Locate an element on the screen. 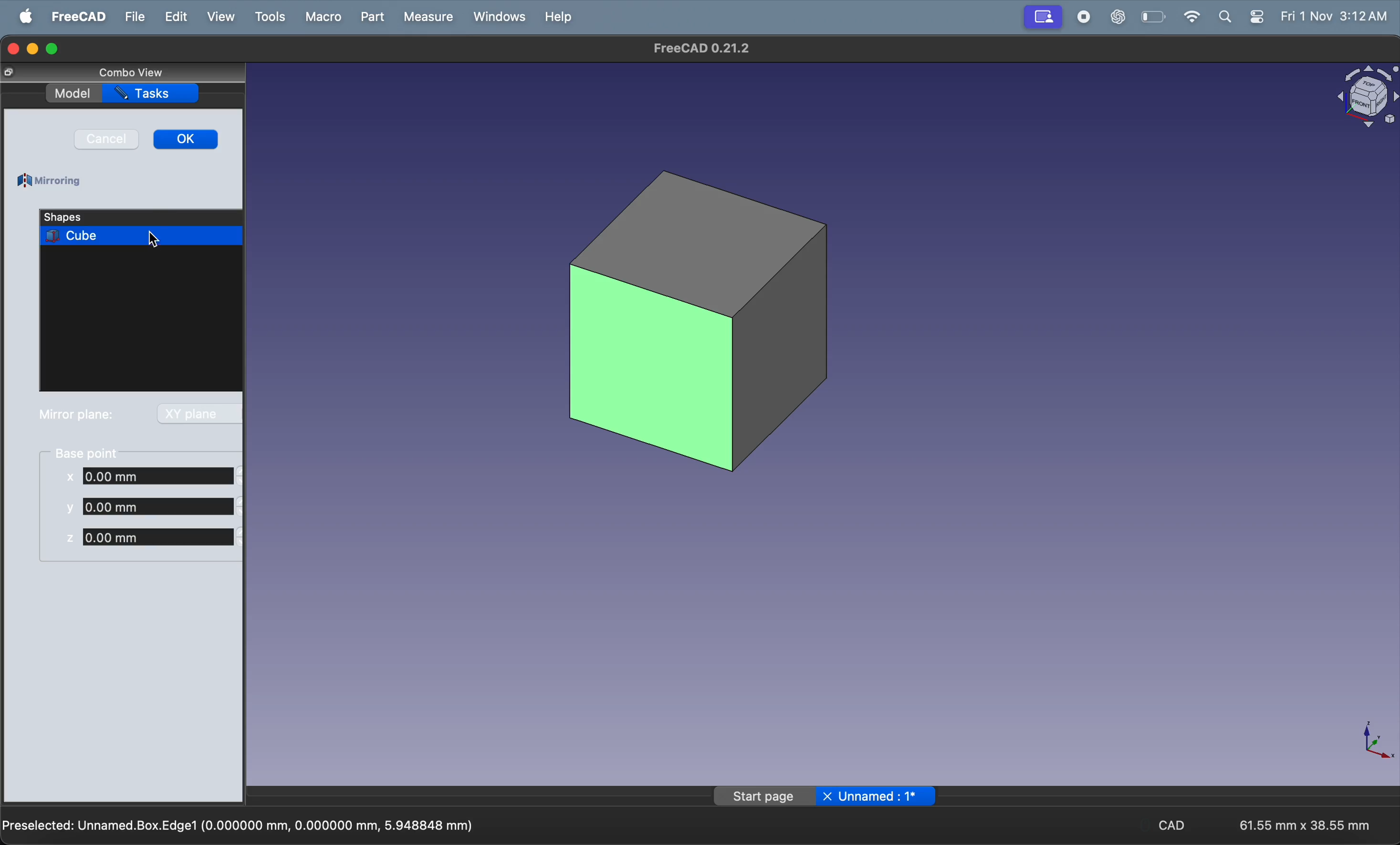  mirror plane is located at coordinates (77, 415).